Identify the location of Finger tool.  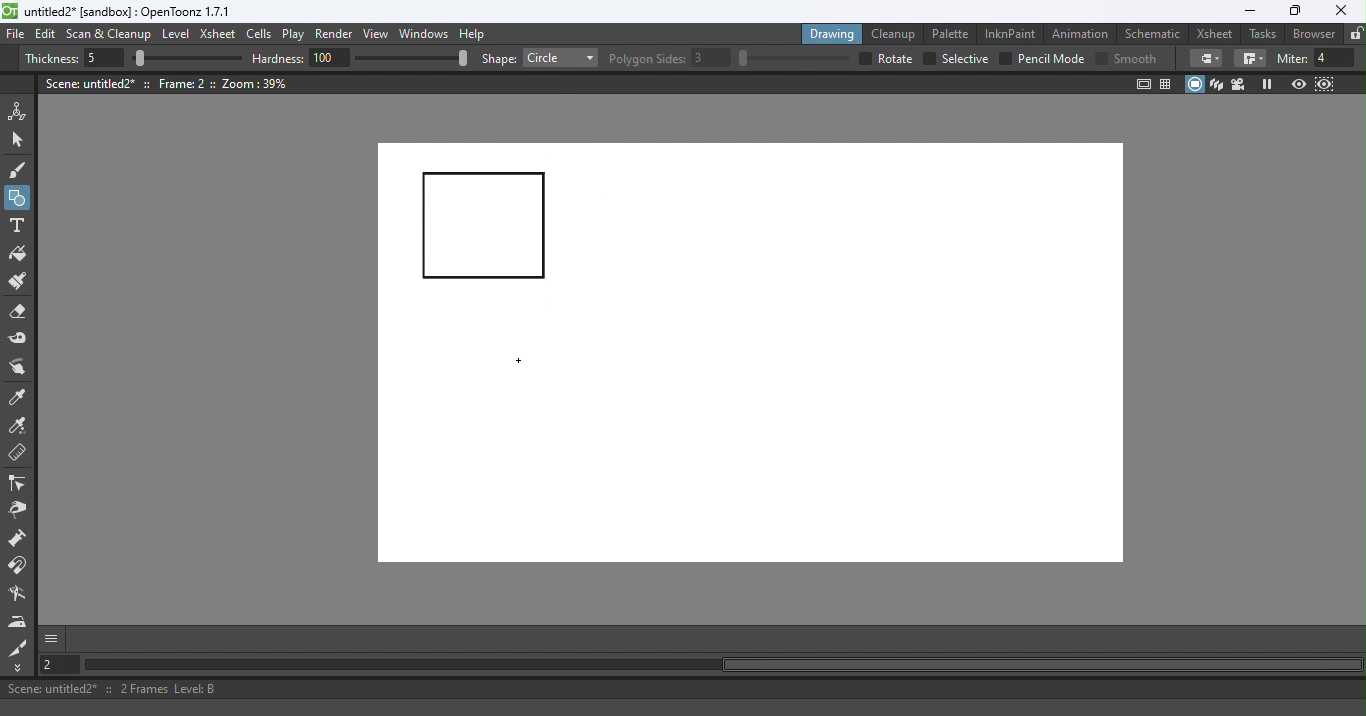
(18, 369).